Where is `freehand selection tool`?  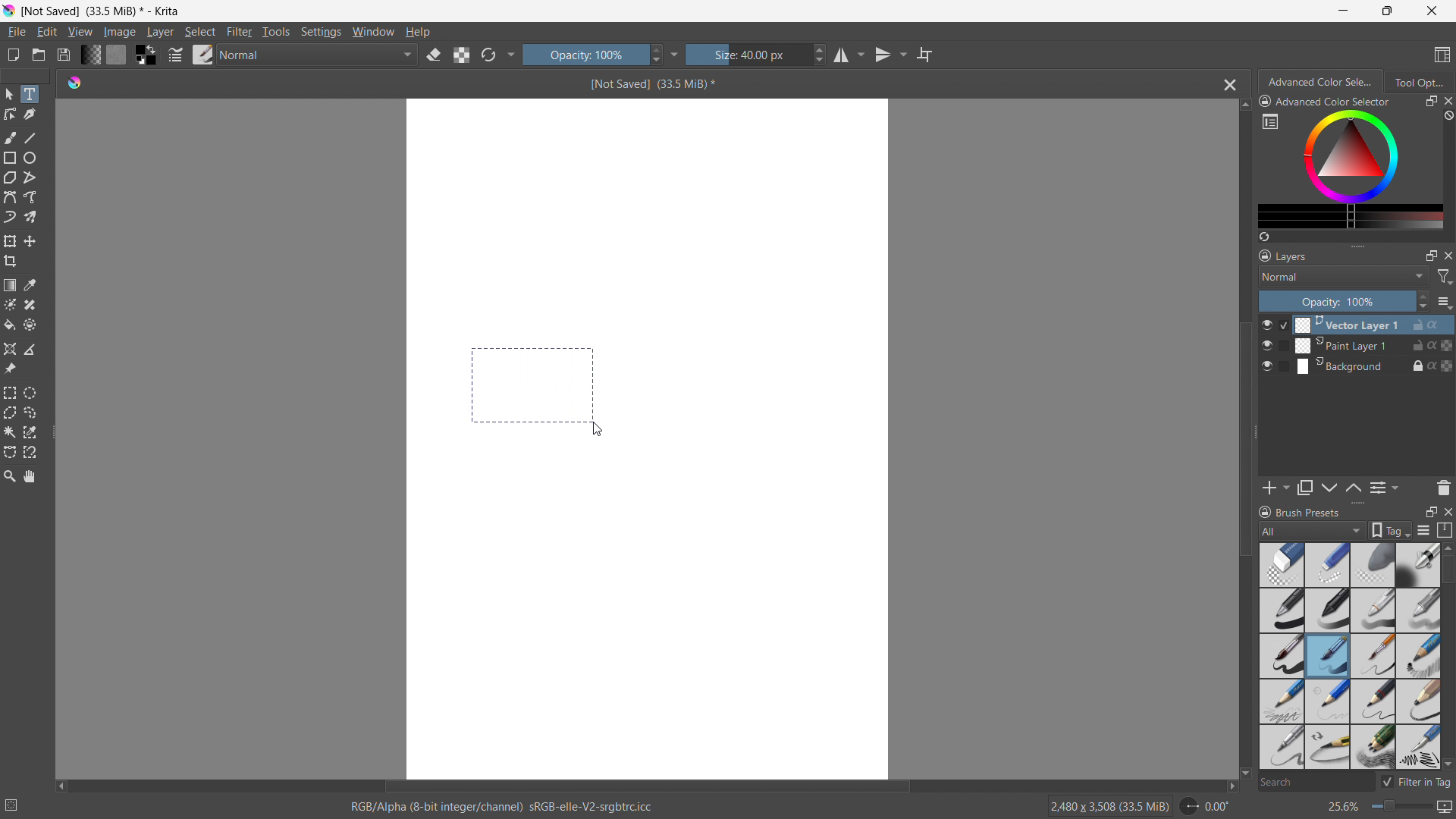 freehand selection tool is located at coordinates (30, 413).